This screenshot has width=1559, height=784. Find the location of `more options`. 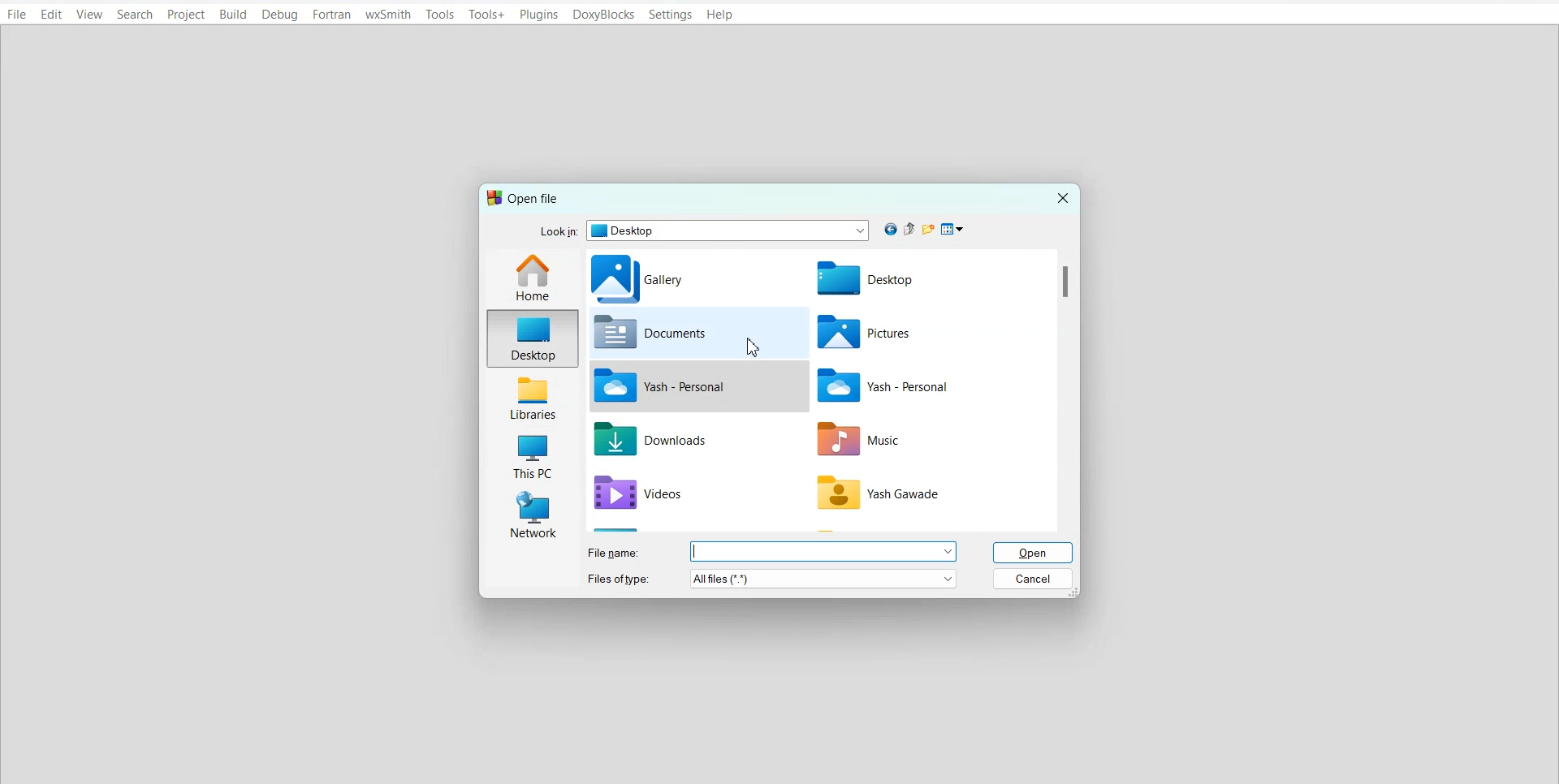

more options is located at coordinates (821, 579).